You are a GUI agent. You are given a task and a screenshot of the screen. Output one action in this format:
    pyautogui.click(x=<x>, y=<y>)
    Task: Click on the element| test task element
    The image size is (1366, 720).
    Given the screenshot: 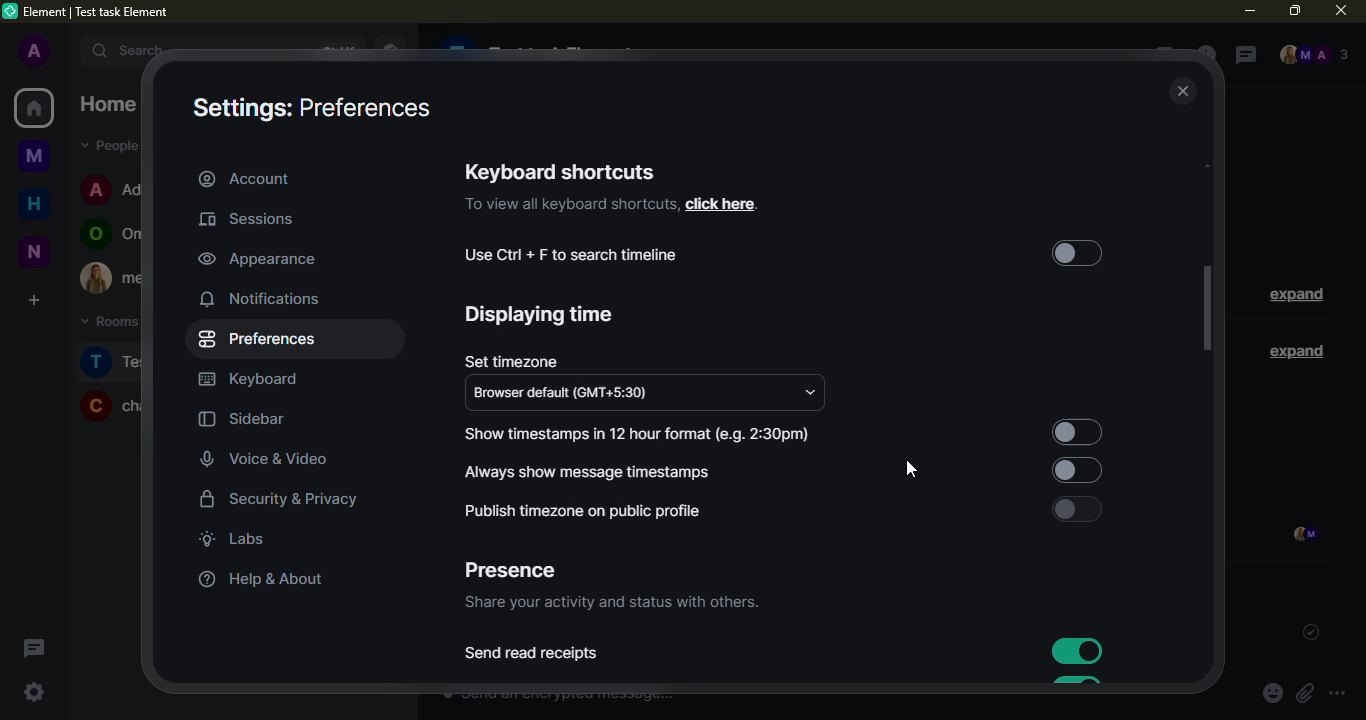 What is the action you would take?
    pyautogui.click(x=104, y=13)
    